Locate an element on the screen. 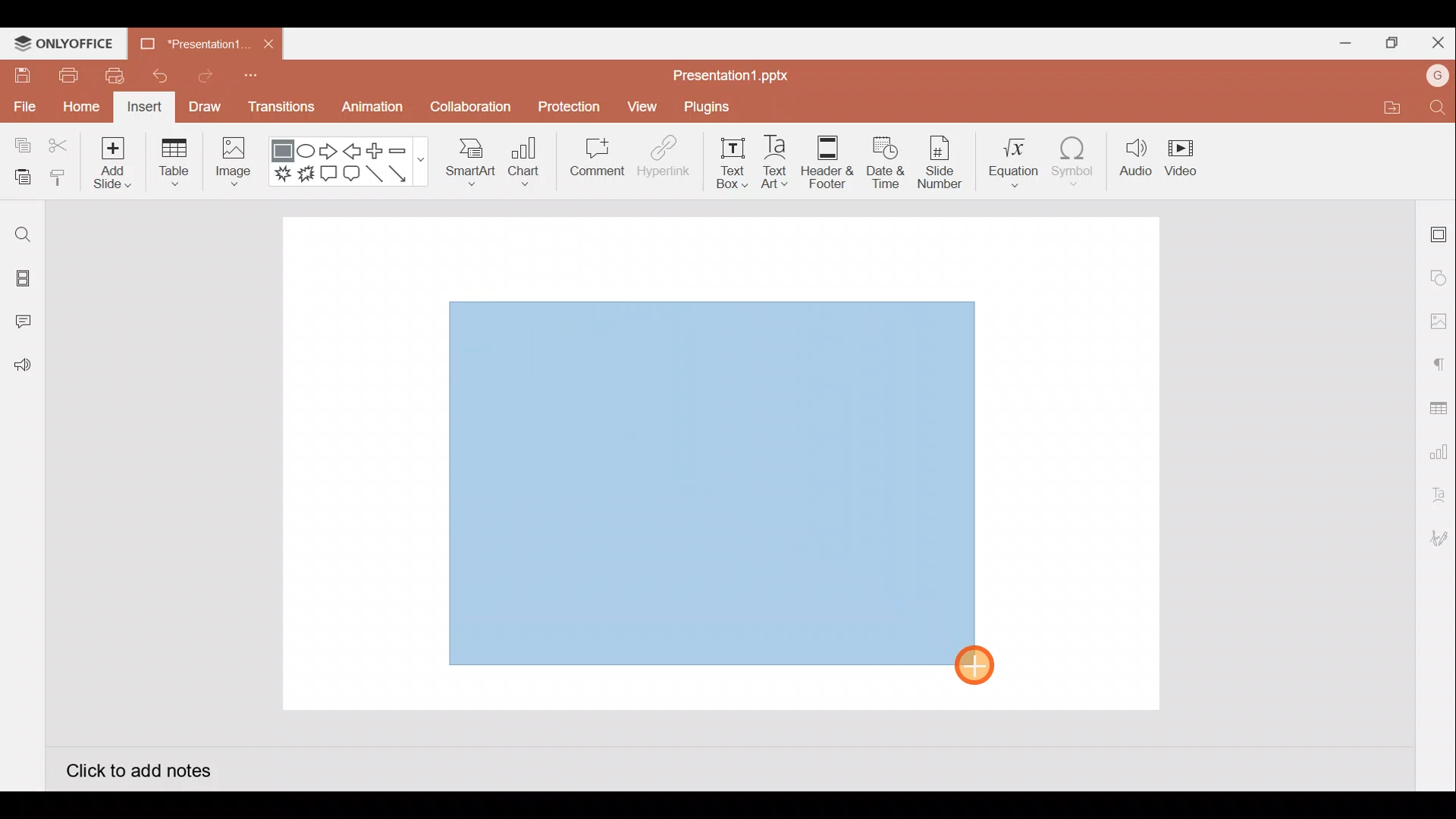 This screenshot has width=1456, height=819. Text Art is located at coordinates (781, 158).